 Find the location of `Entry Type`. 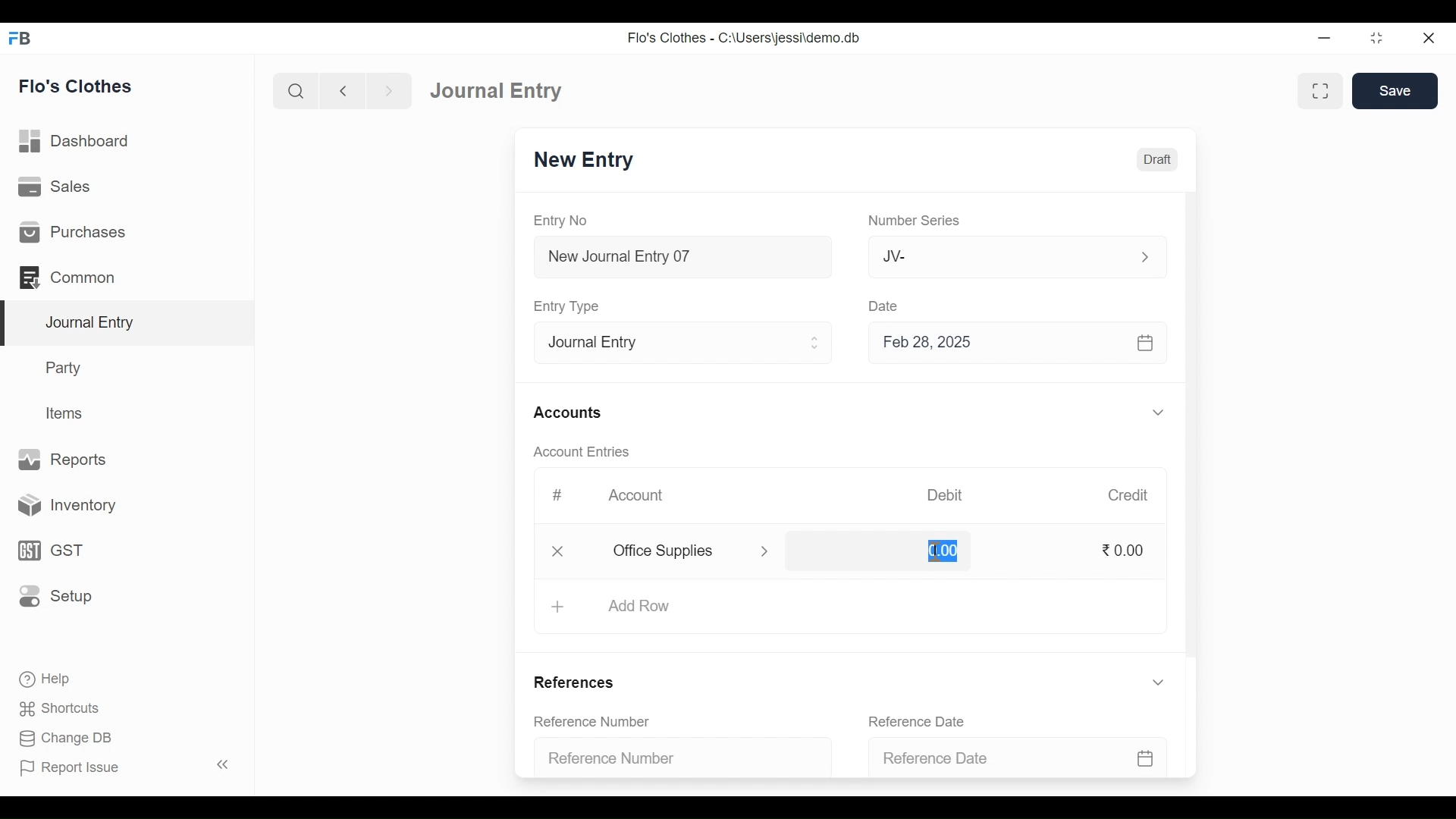

Entry Type is located at coordinates (670, 344).